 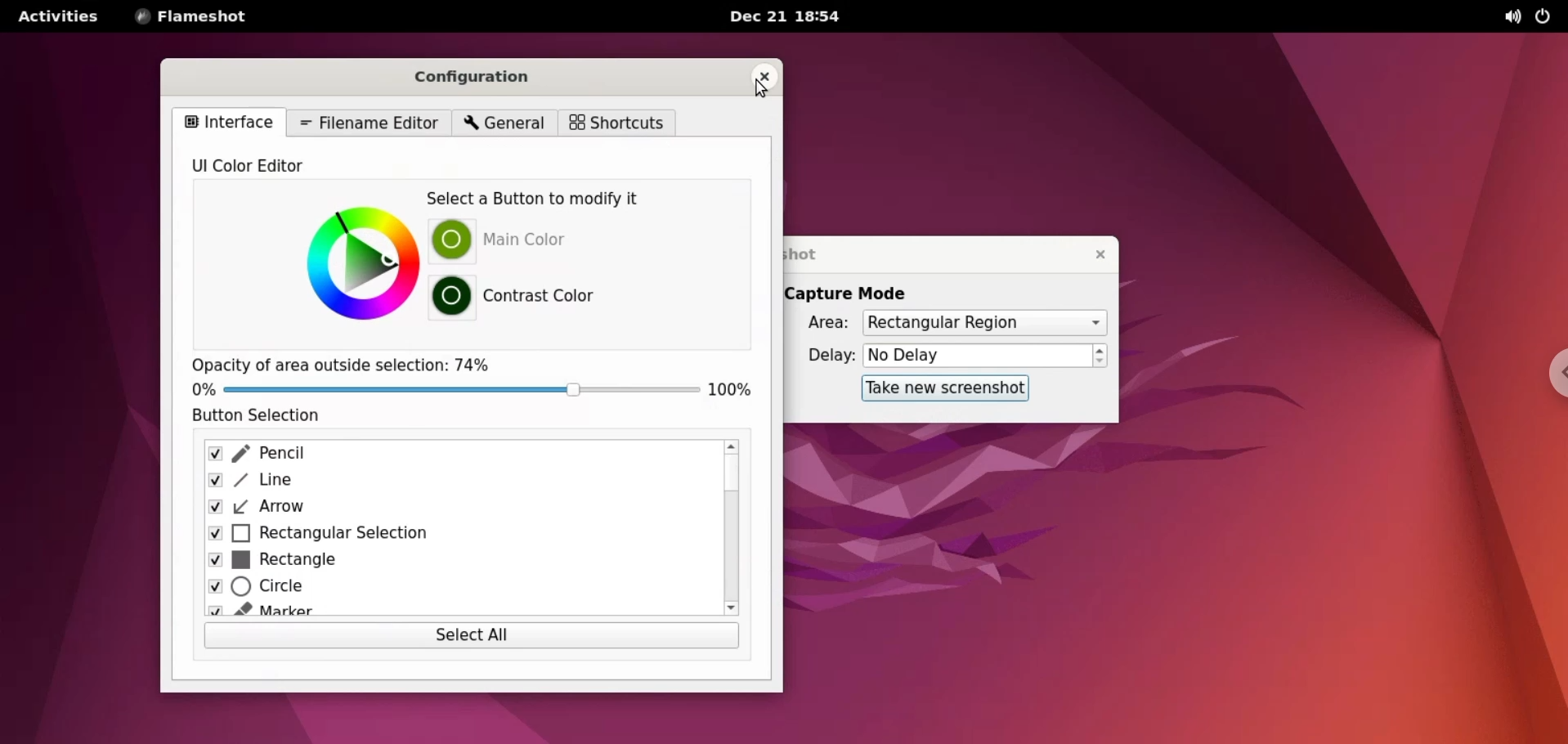 What do you see at coordinates (371, 124) in the screenshot?
I see `filename editor` at bounding box center [371, 124].